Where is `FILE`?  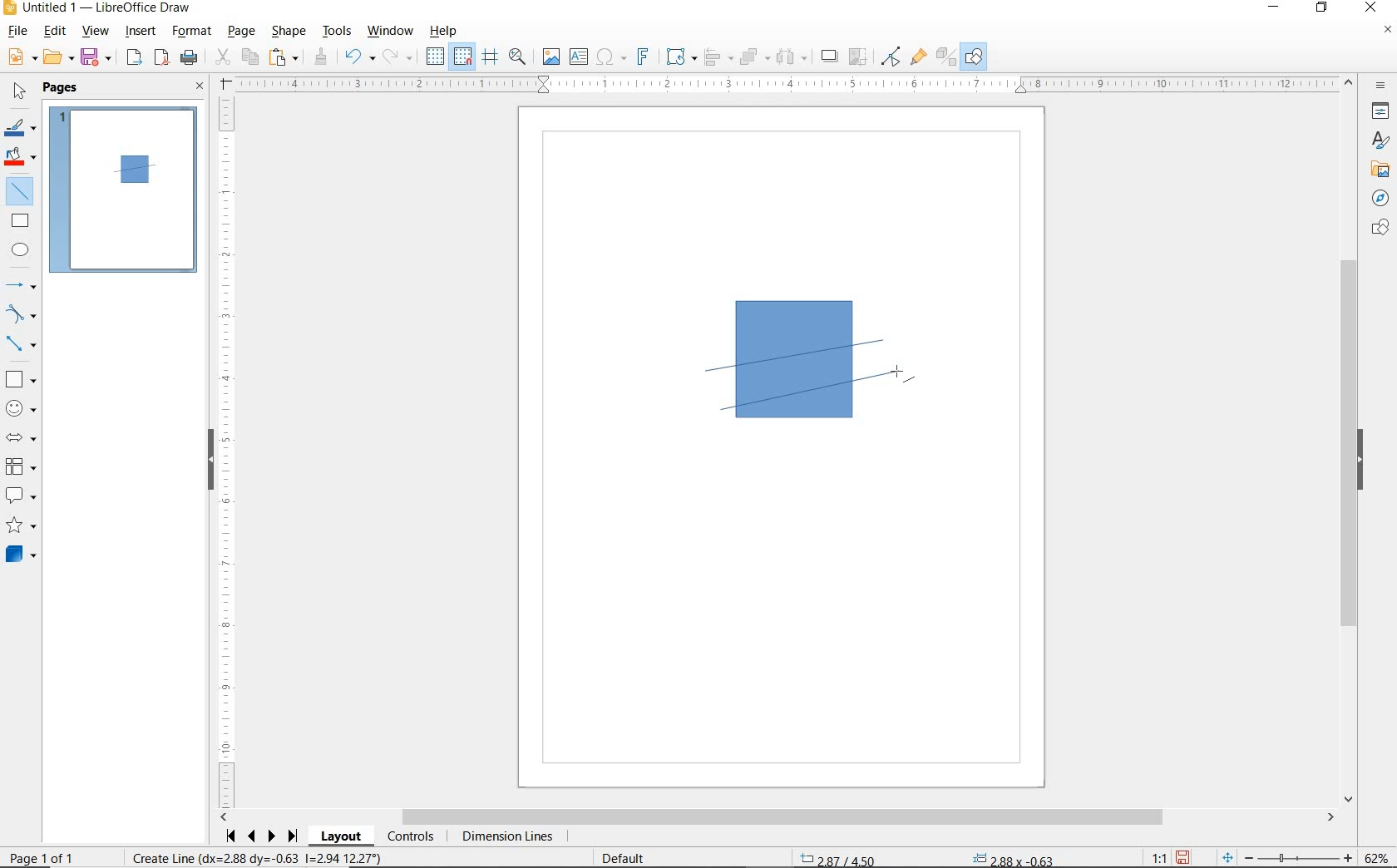
FILE is located at coordinates (16, 32).